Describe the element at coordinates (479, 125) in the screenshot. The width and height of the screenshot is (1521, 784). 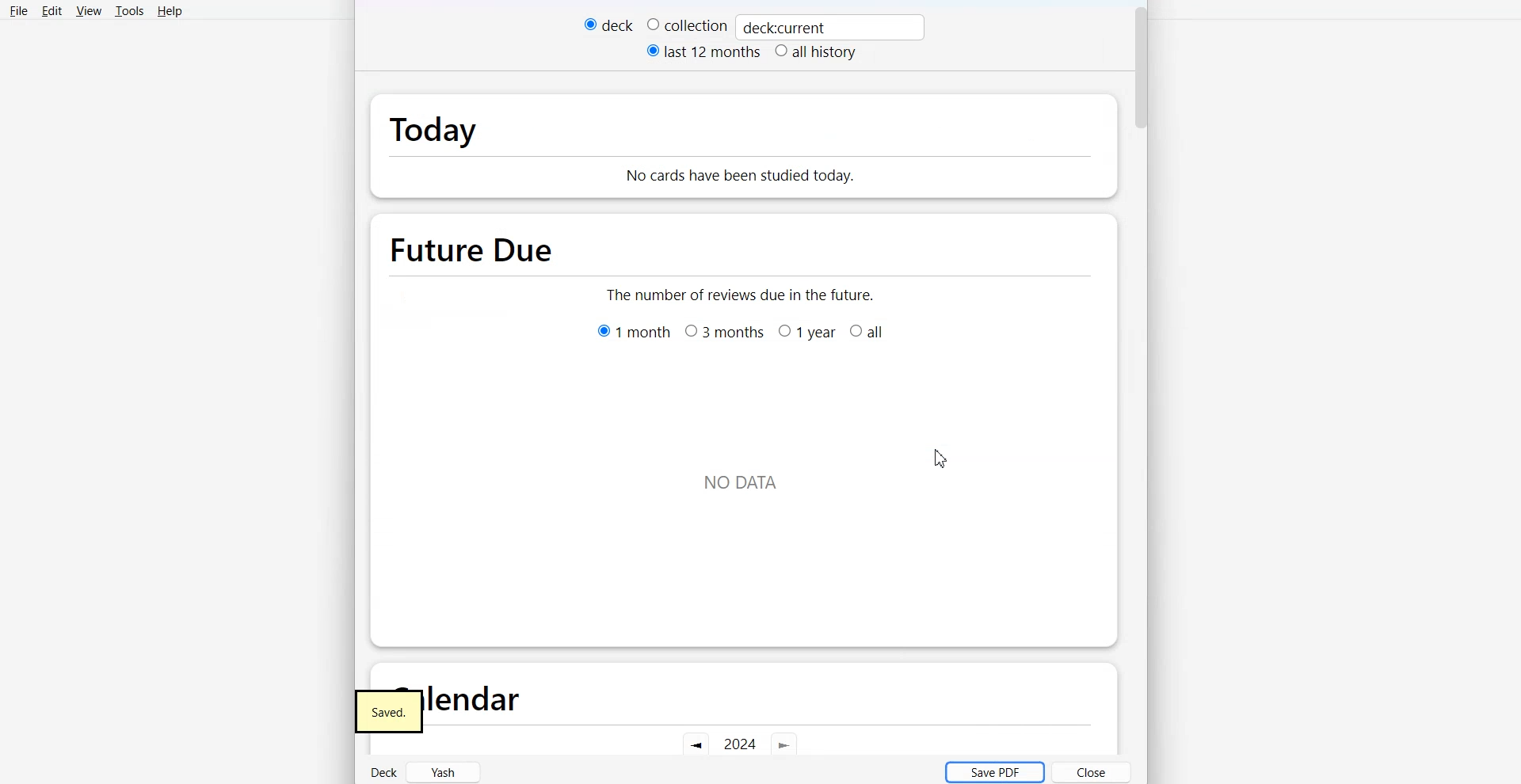
I see `Today` at that location.